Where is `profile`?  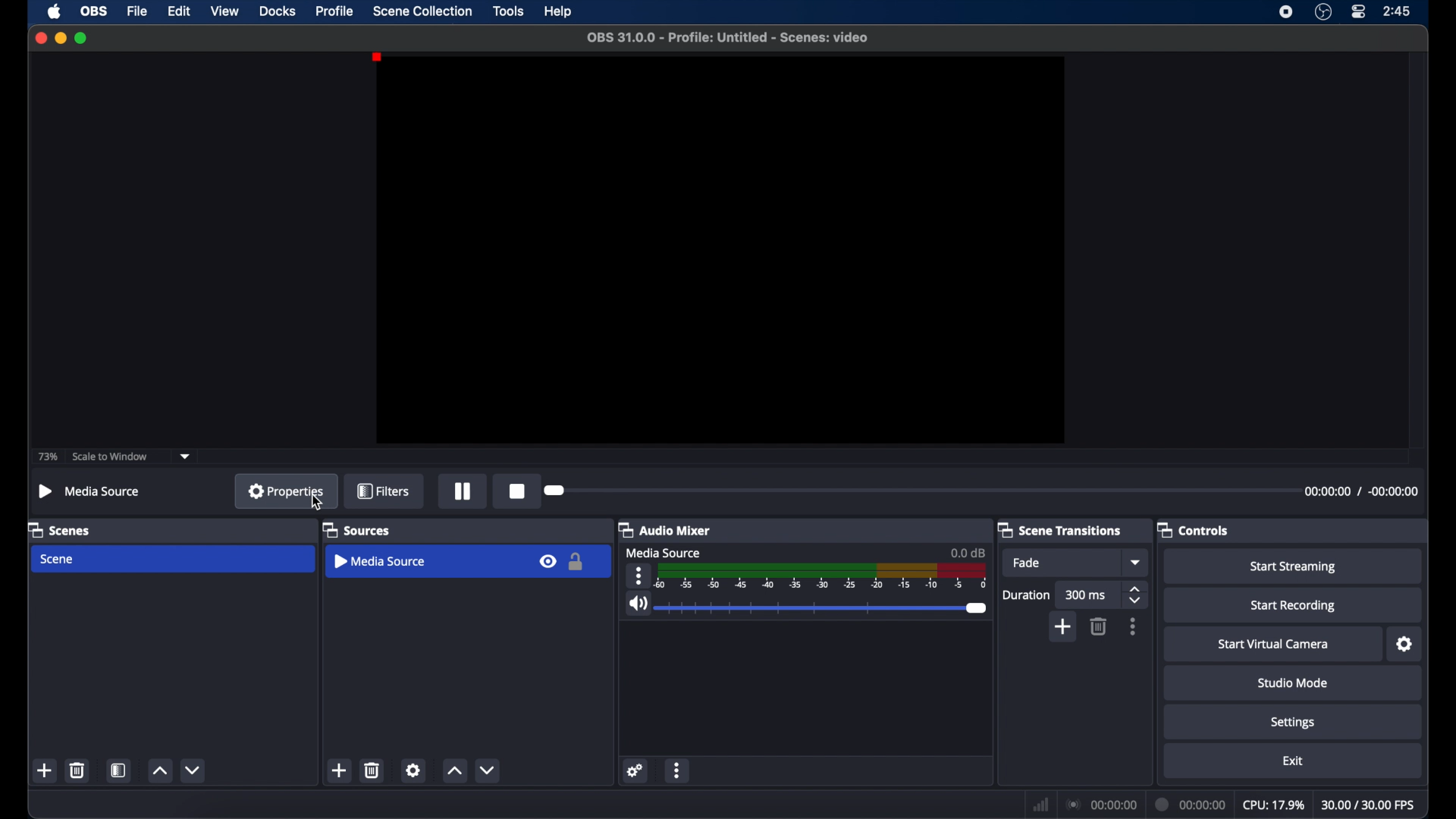
profile is located at coordinates (336, 11).